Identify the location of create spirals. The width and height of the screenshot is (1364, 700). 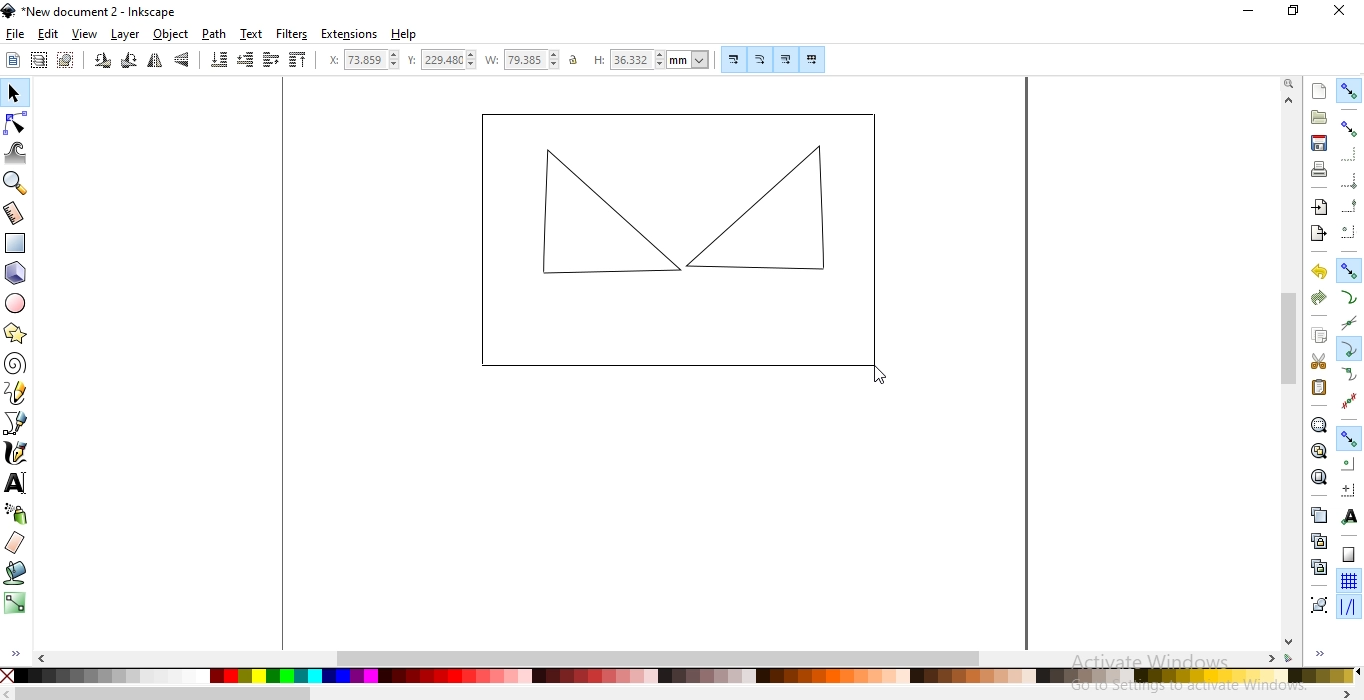
(17, 364).